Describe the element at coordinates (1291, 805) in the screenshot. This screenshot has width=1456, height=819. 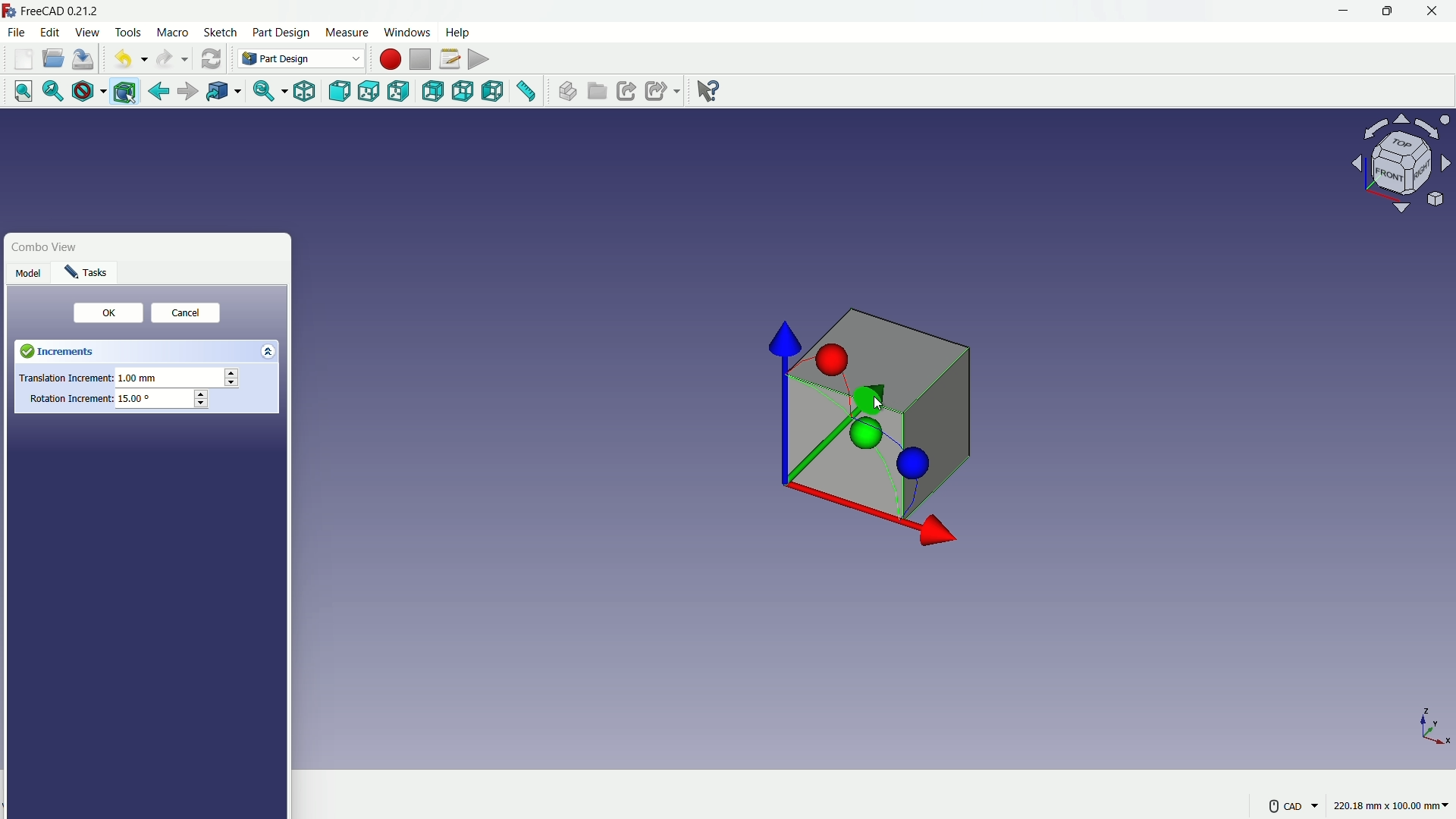
I see `CAD` at that location.